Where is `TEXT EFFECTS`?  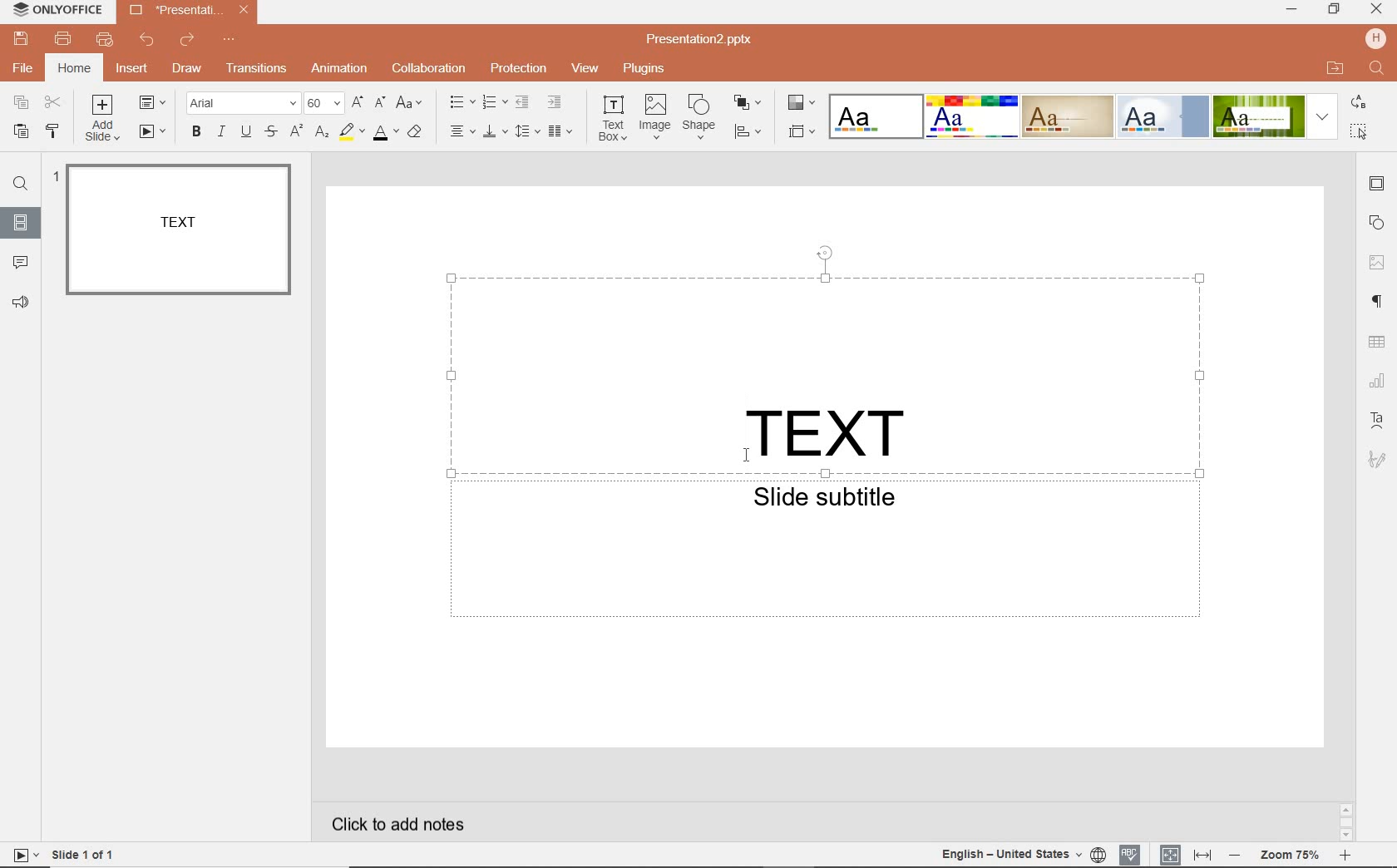 TEXT EFFECTS is located at coordinates (1083, 115).